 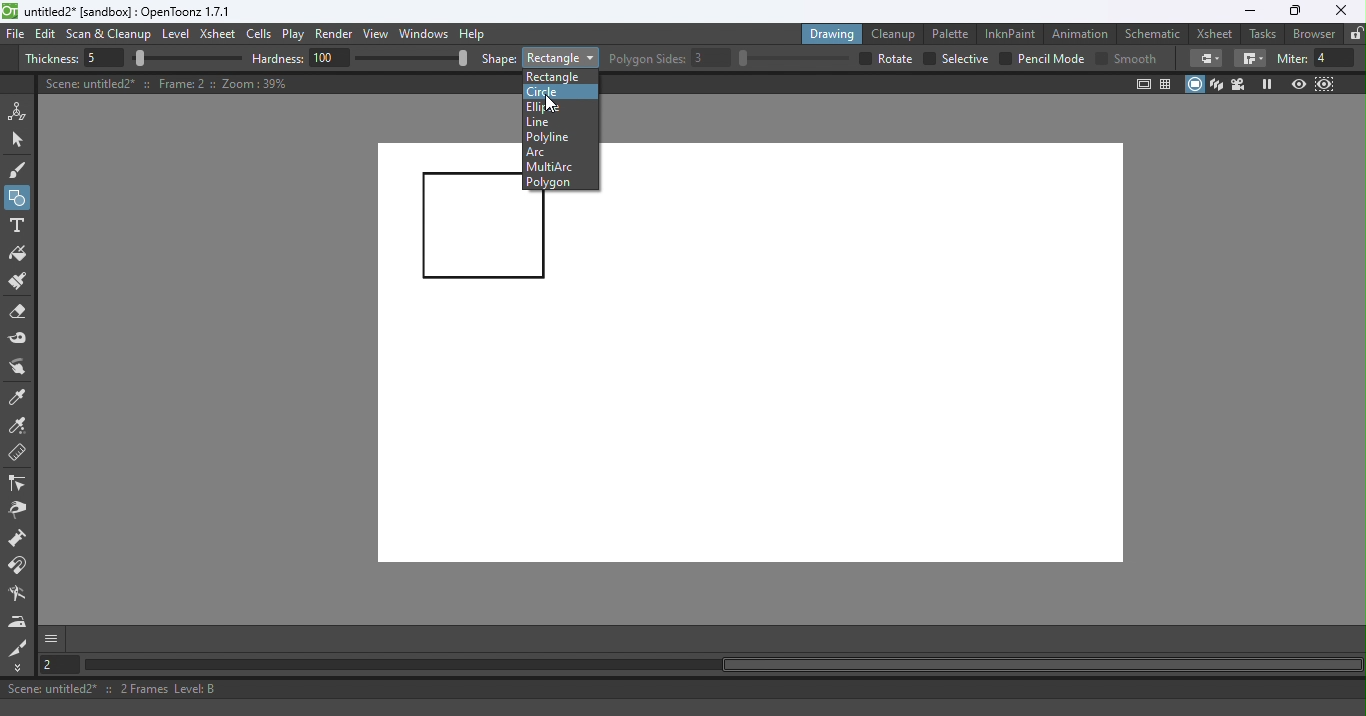 I want to click on Xsheet, so click(x=1217, y=33).